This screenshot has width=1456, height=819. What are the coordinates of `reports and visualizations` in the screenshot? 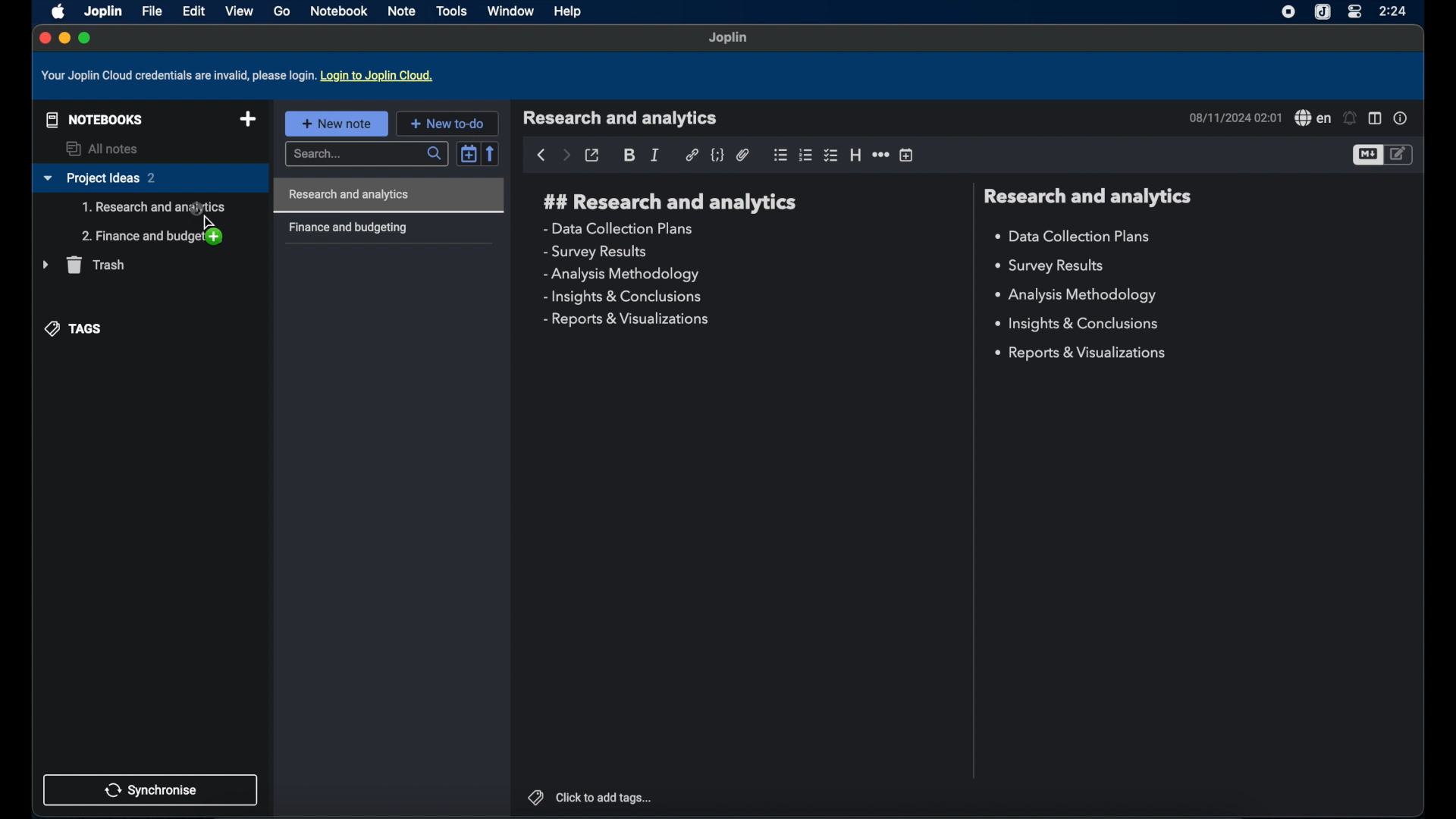 It's located at (625, 320).